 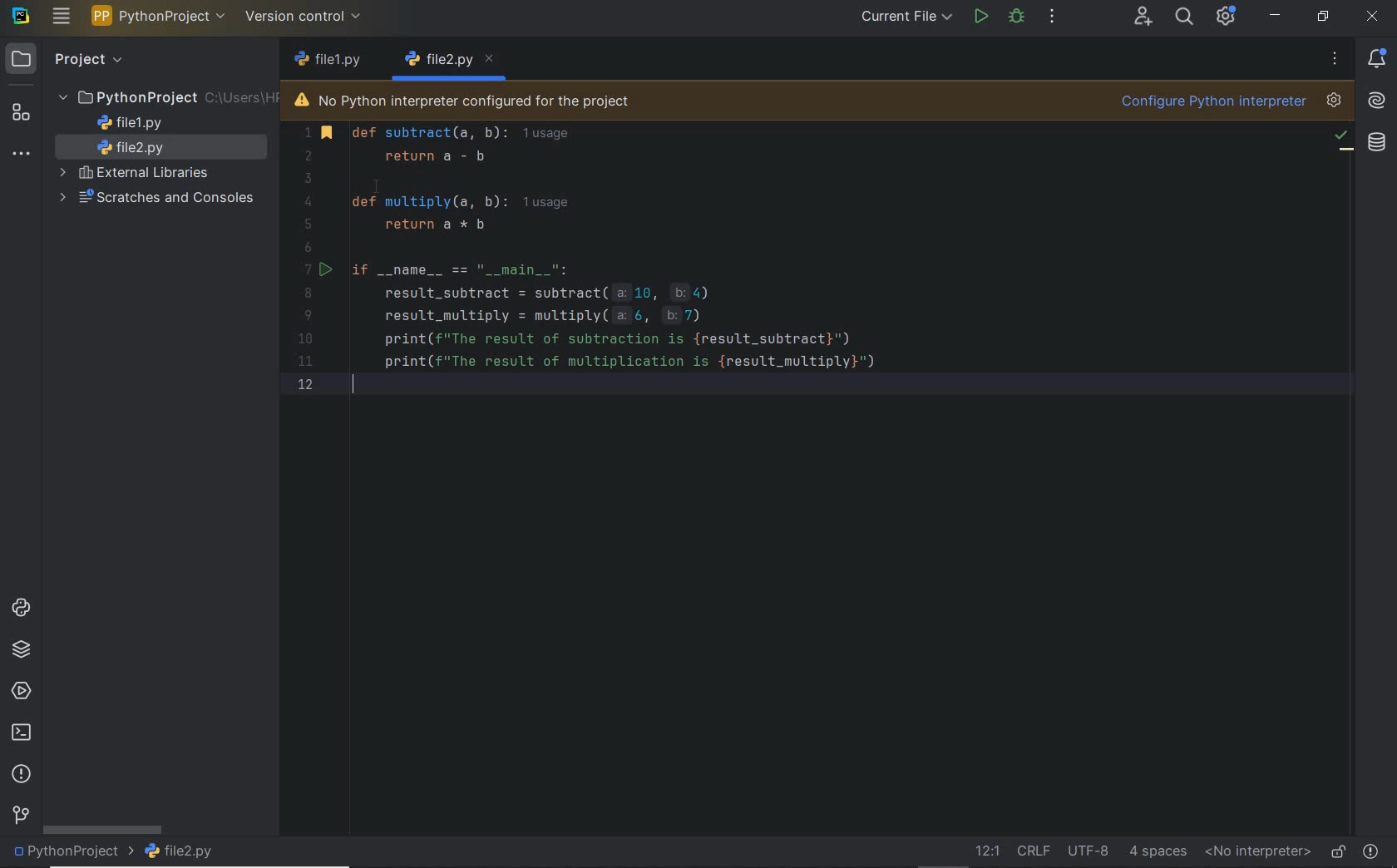 I want to click on file name, so click(x=180, y=853).